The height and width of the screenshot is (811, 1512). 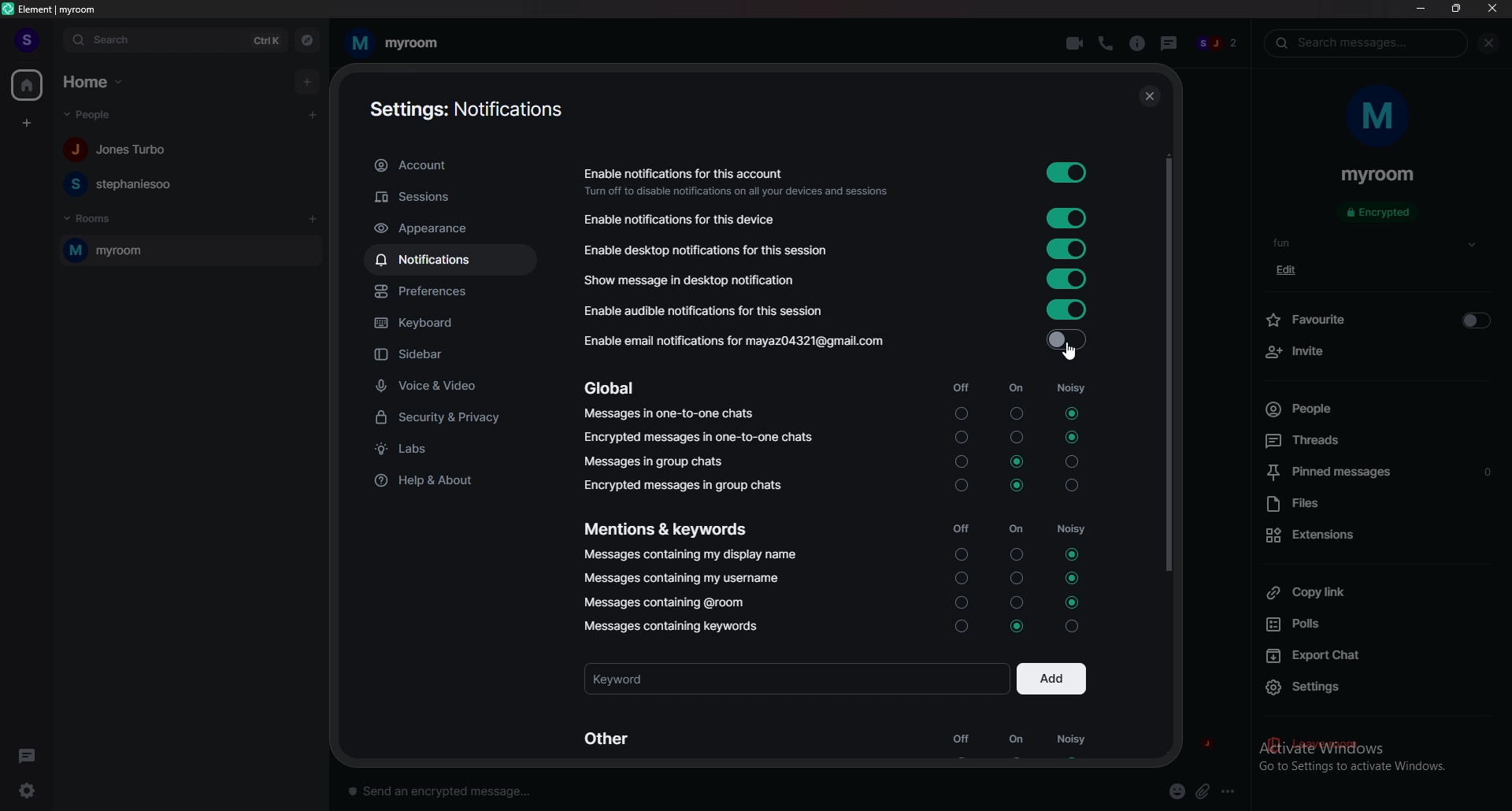 What do you see at coordinates (1136, 43) in the screenshot?
I see `info` at bounding box center [1136, 43].